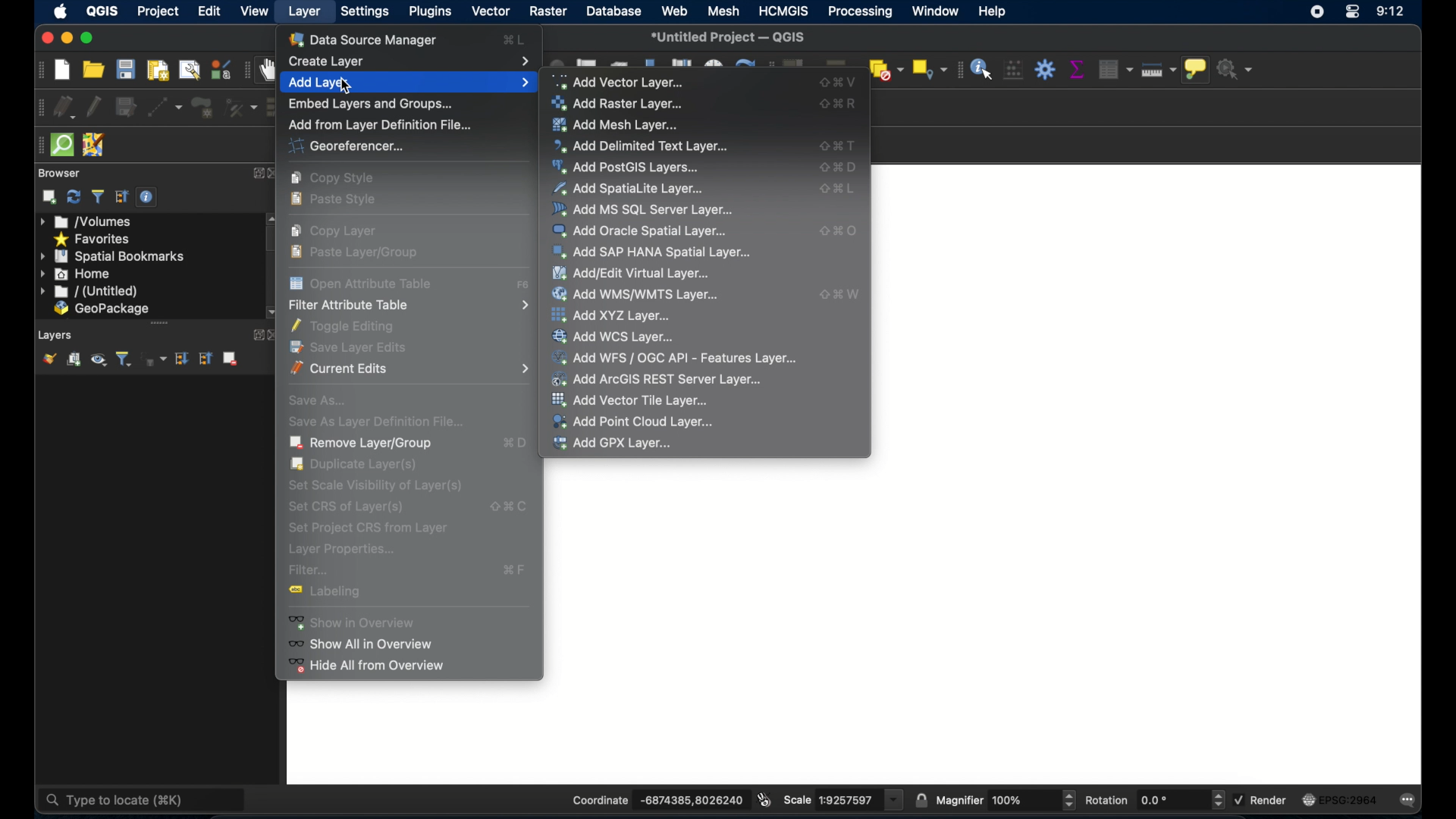 Image resolution: width=1456 pixels, height=819 pixels. I want to click on Set Scale Visibility of layer(s), so click(413, 486).